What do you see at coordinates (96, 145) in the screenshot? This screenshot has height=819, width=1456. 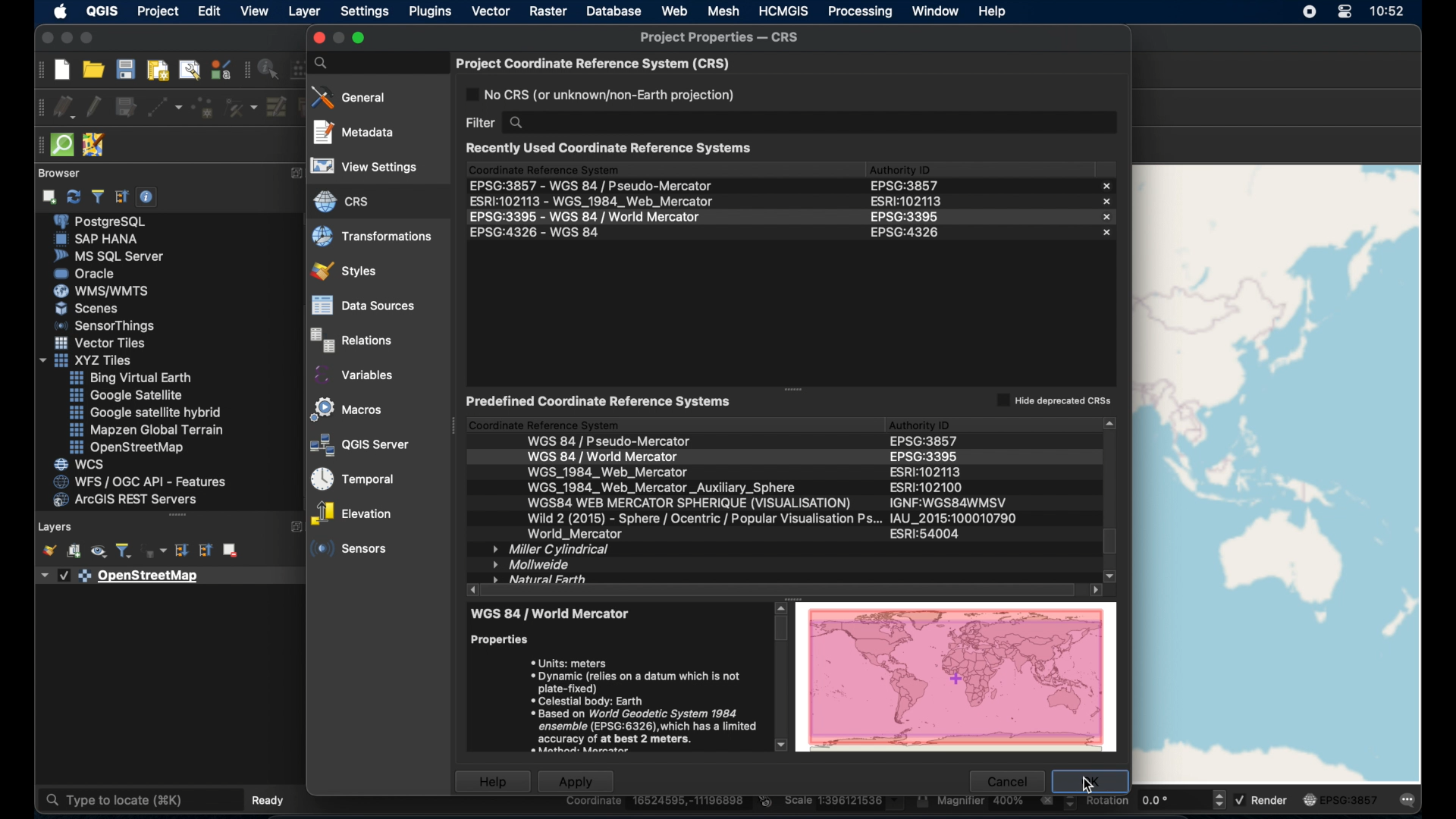 I see `JSOM remote` at bounding box center [96, 145].